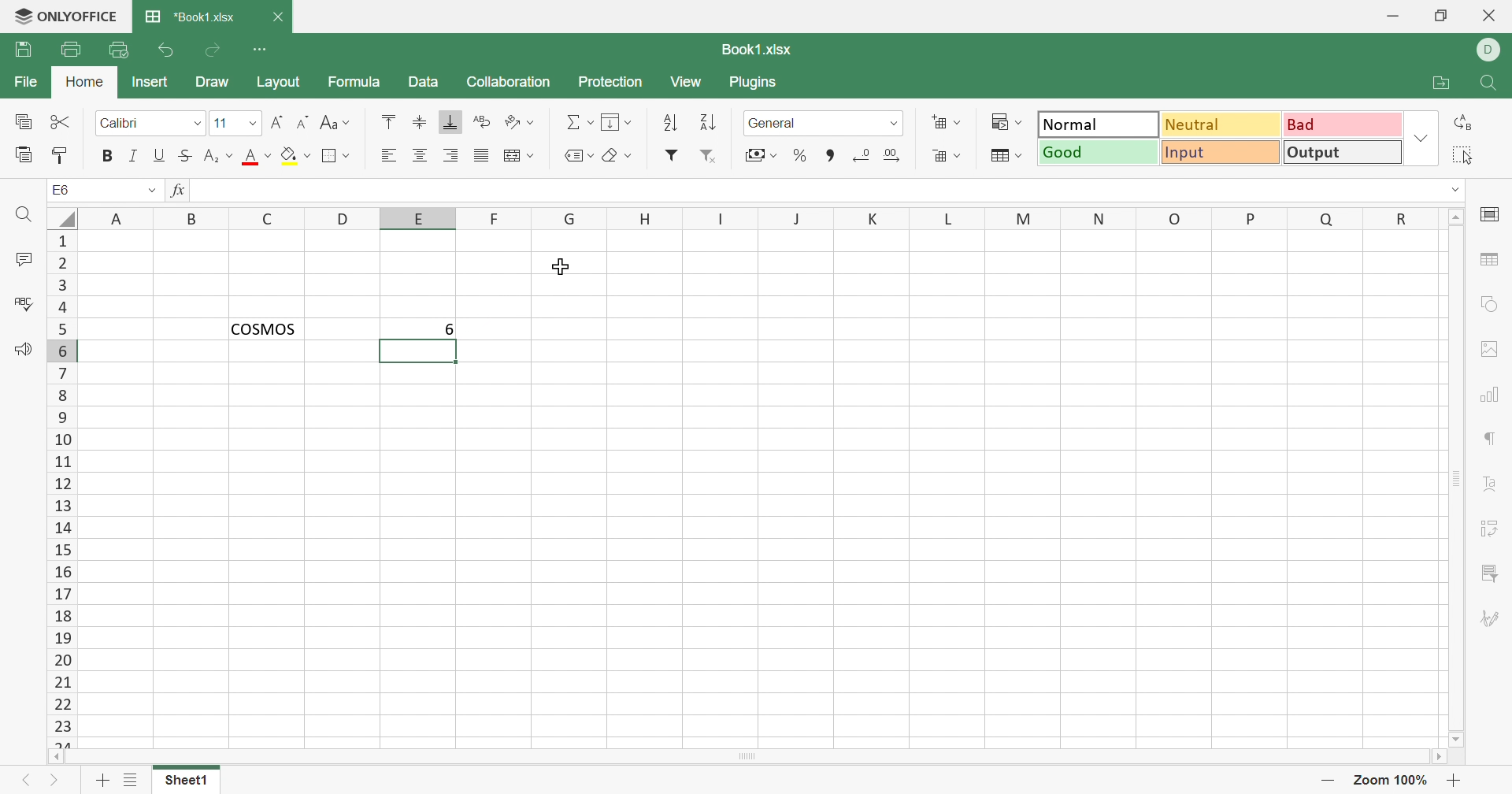 The image size is (1512, 794). What do you see at coordinates (1421, 139) in the screenshot?
I see `Drop down` at bounding box center [1421, 139].